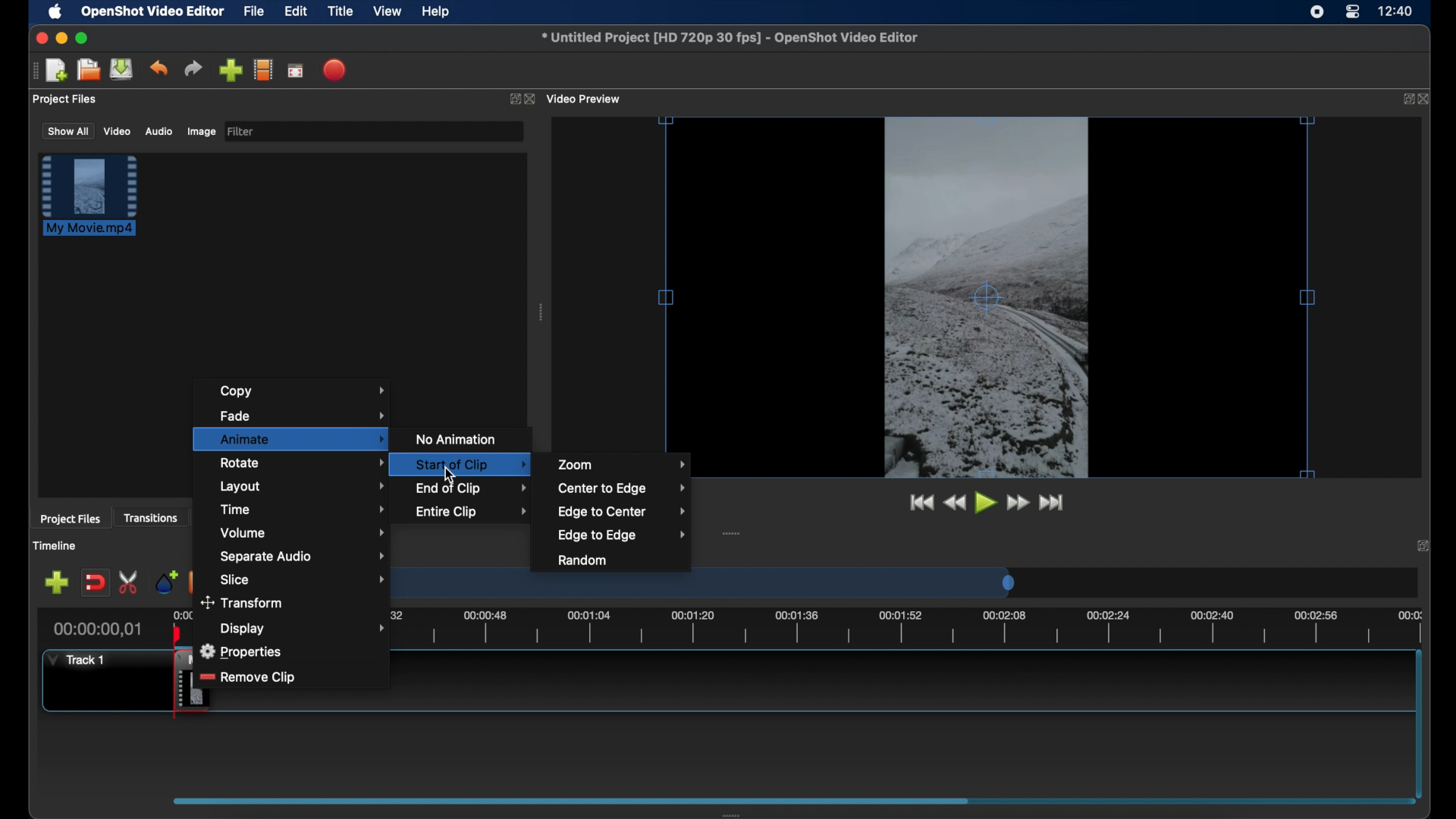 The image size is (1456, 819). I want to click on drag handle, so click(33, 71).